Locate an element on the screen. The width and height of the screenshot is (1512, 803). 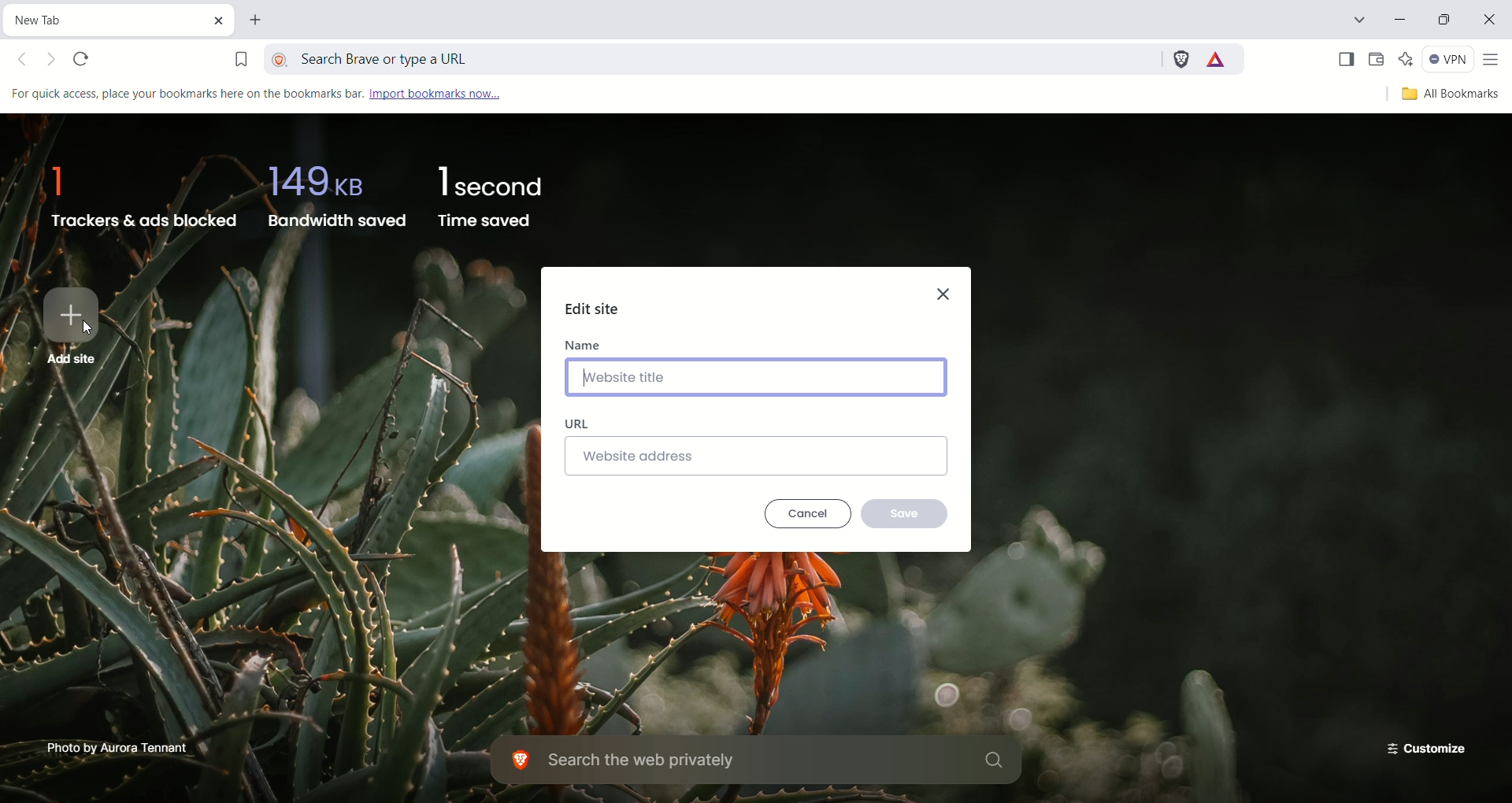
leo AI is located at coordinates (1406, 59).